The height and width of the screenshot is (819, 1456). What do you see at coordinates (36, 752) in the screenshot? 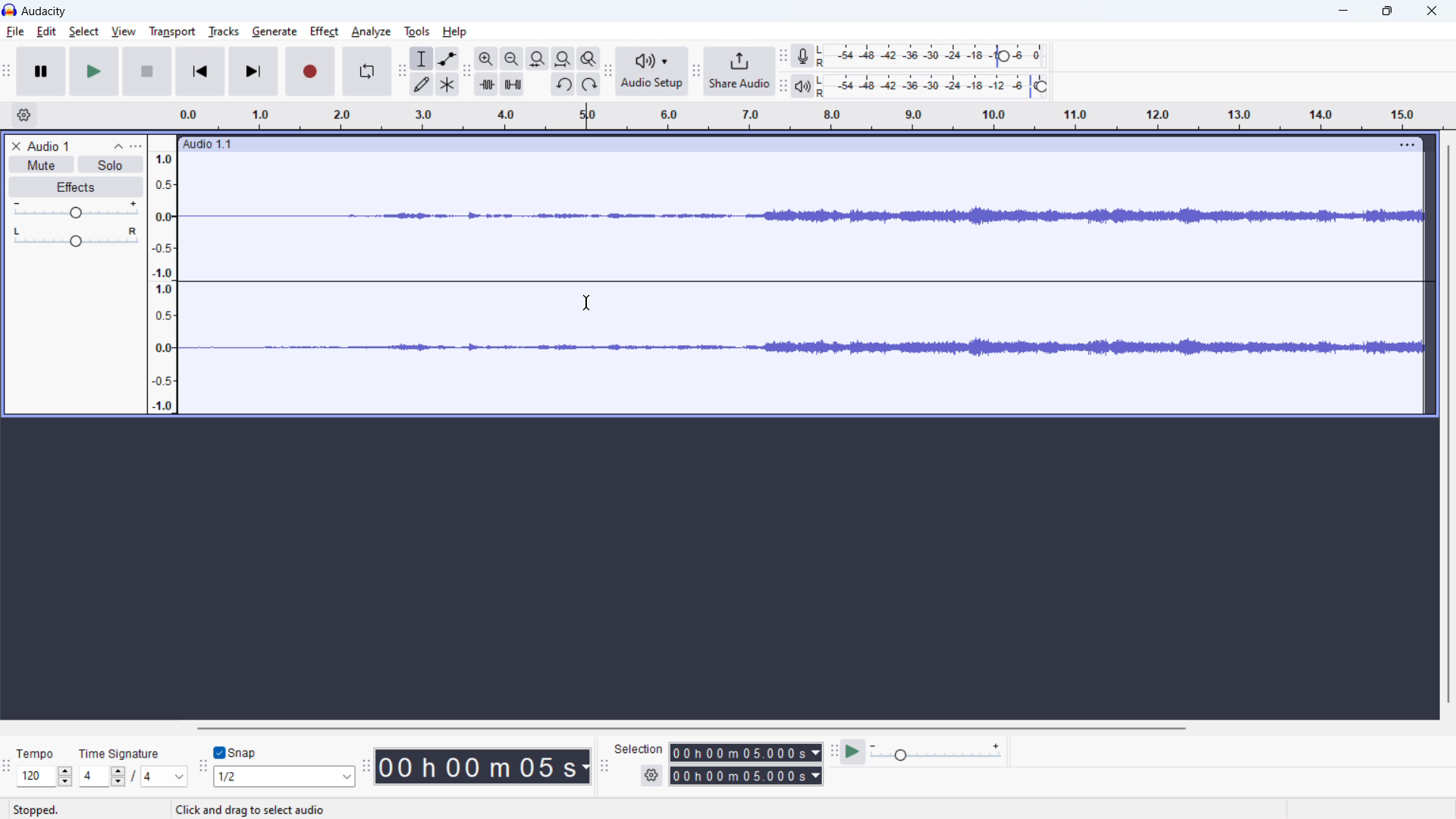
I see `Tempo` at bounding box center [36, 752].